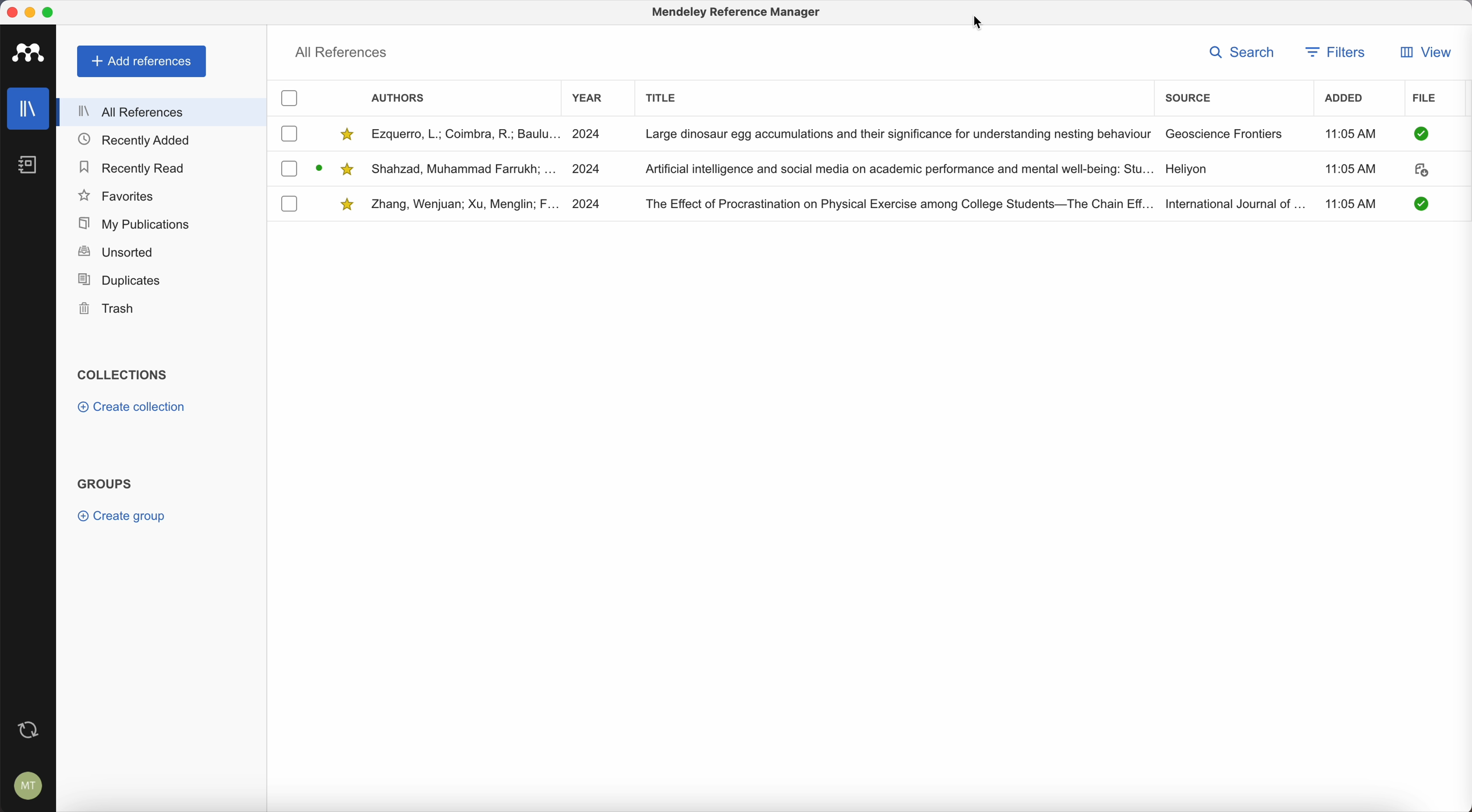 The image size is (1472, 812). I want to click on Heliyon, so click(1186, 170).